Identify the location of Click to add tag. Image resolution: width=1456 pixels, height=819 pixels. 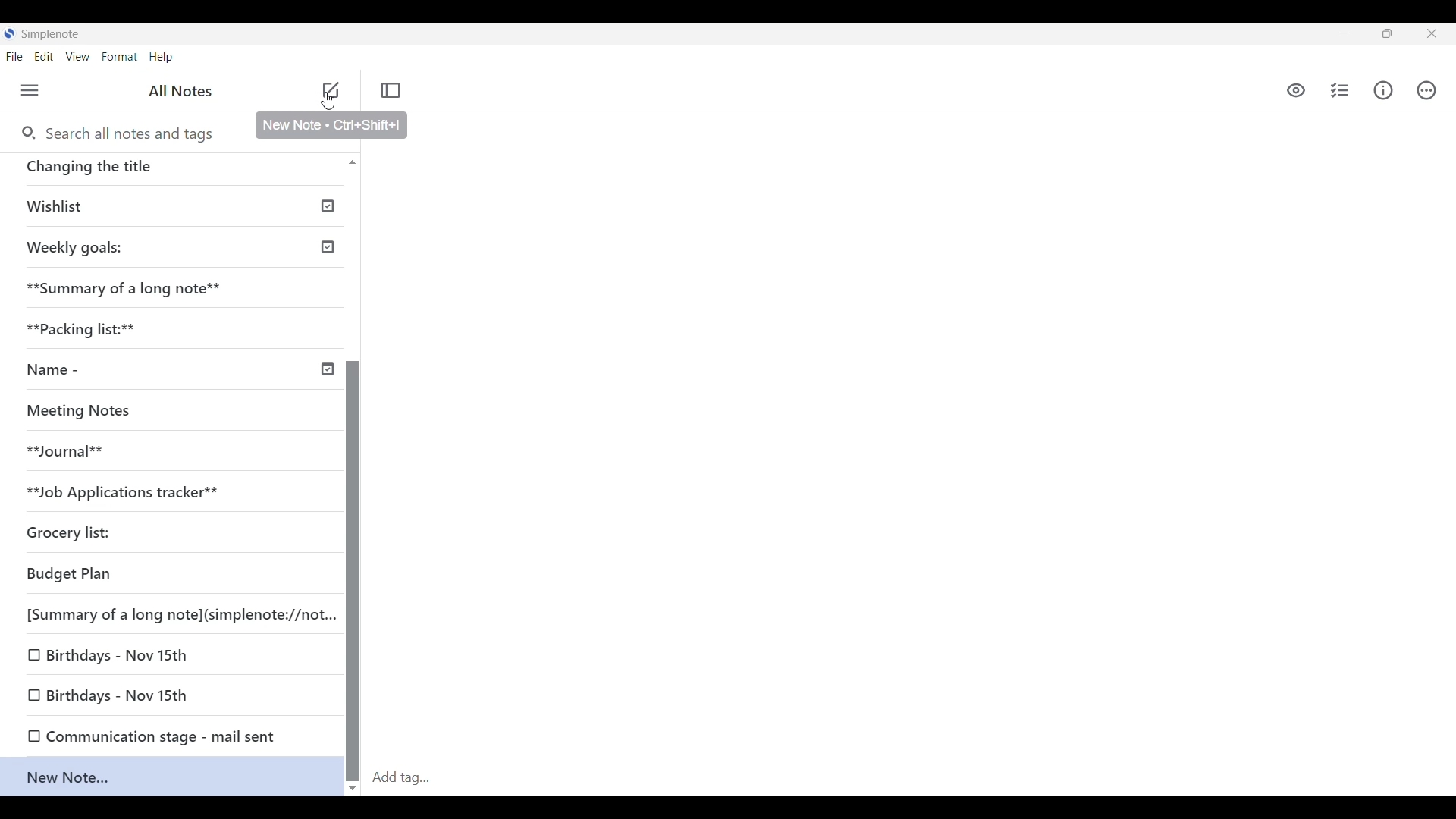
(912, 778).